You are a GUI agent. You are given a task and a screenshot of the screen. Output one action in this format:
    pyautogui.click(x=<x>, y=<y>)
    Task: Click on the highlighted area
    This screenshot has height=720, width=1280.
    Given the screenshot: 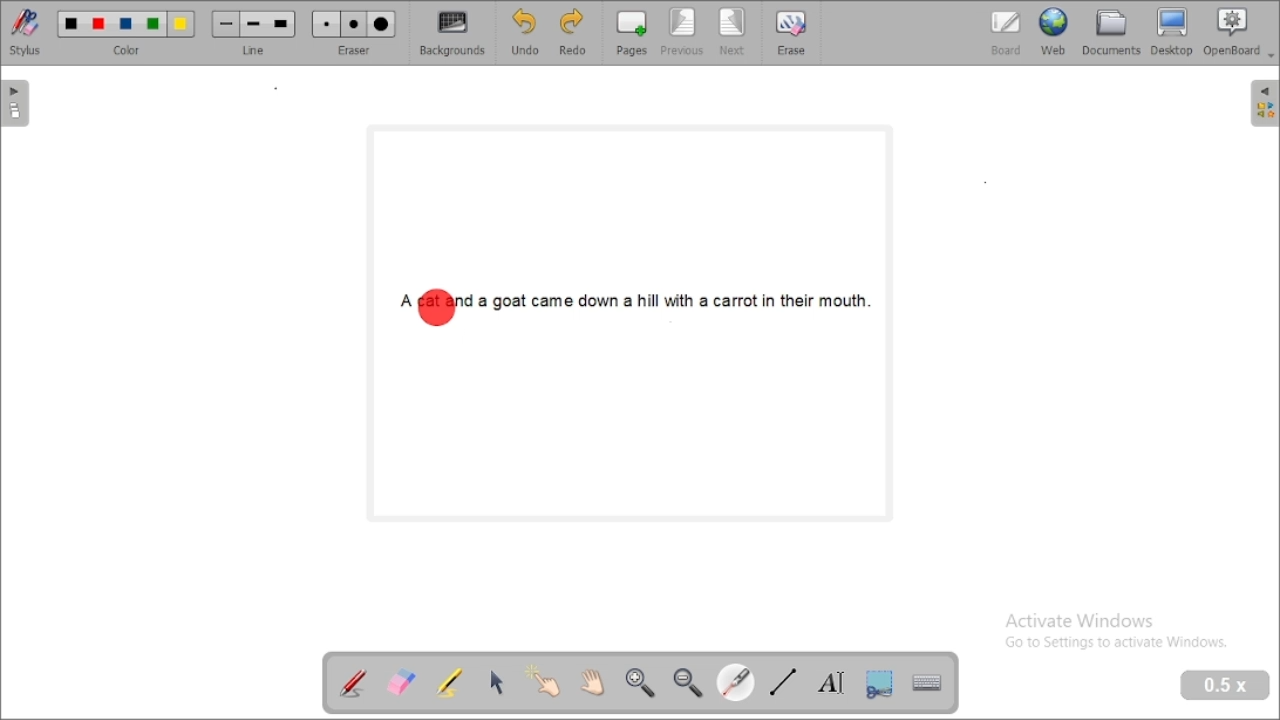 What is the action you would take?
    pyautogui.click(x=436, y=308)
    